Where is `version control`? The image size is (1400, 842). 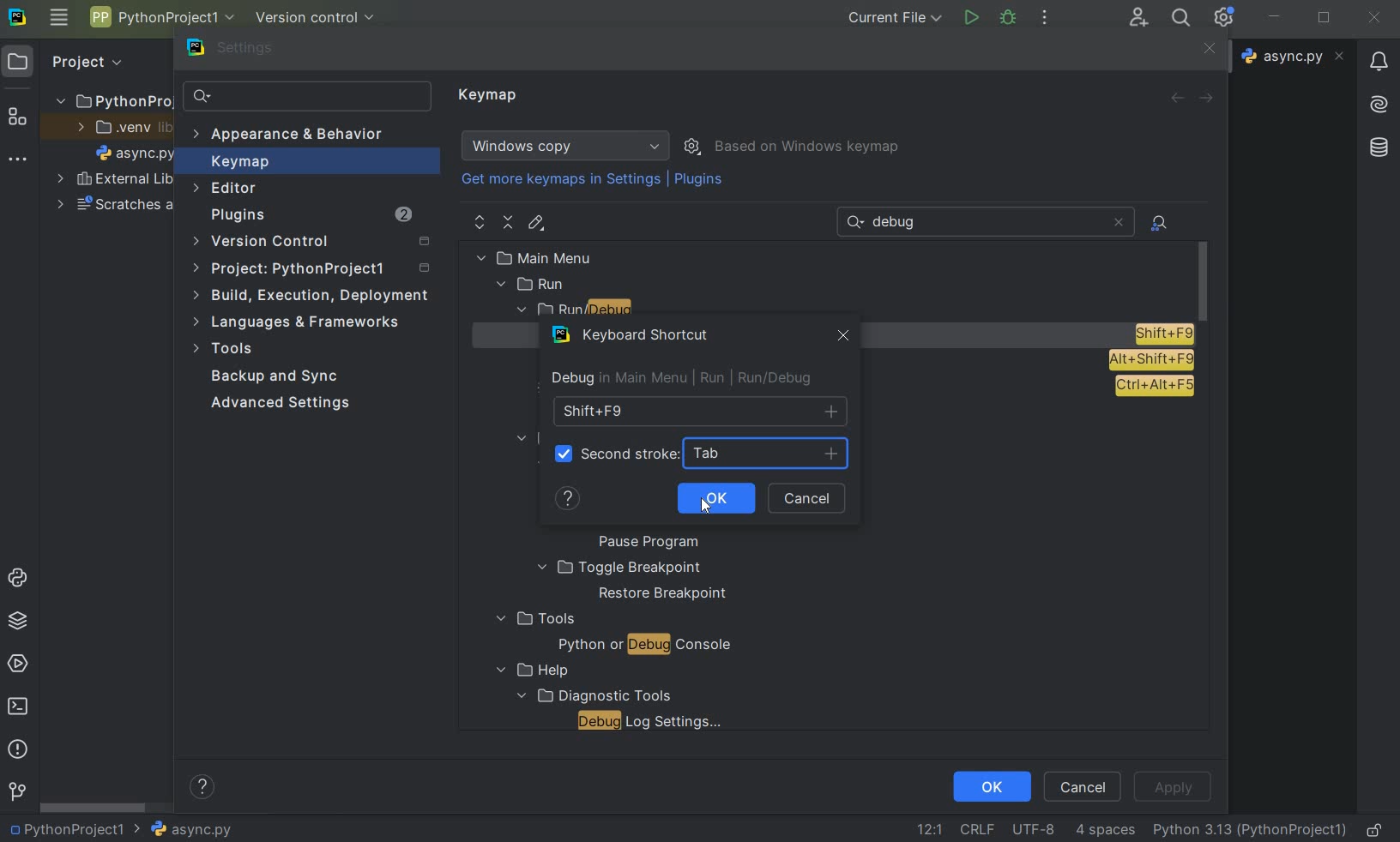 version control is located at coordinates (17, 792).